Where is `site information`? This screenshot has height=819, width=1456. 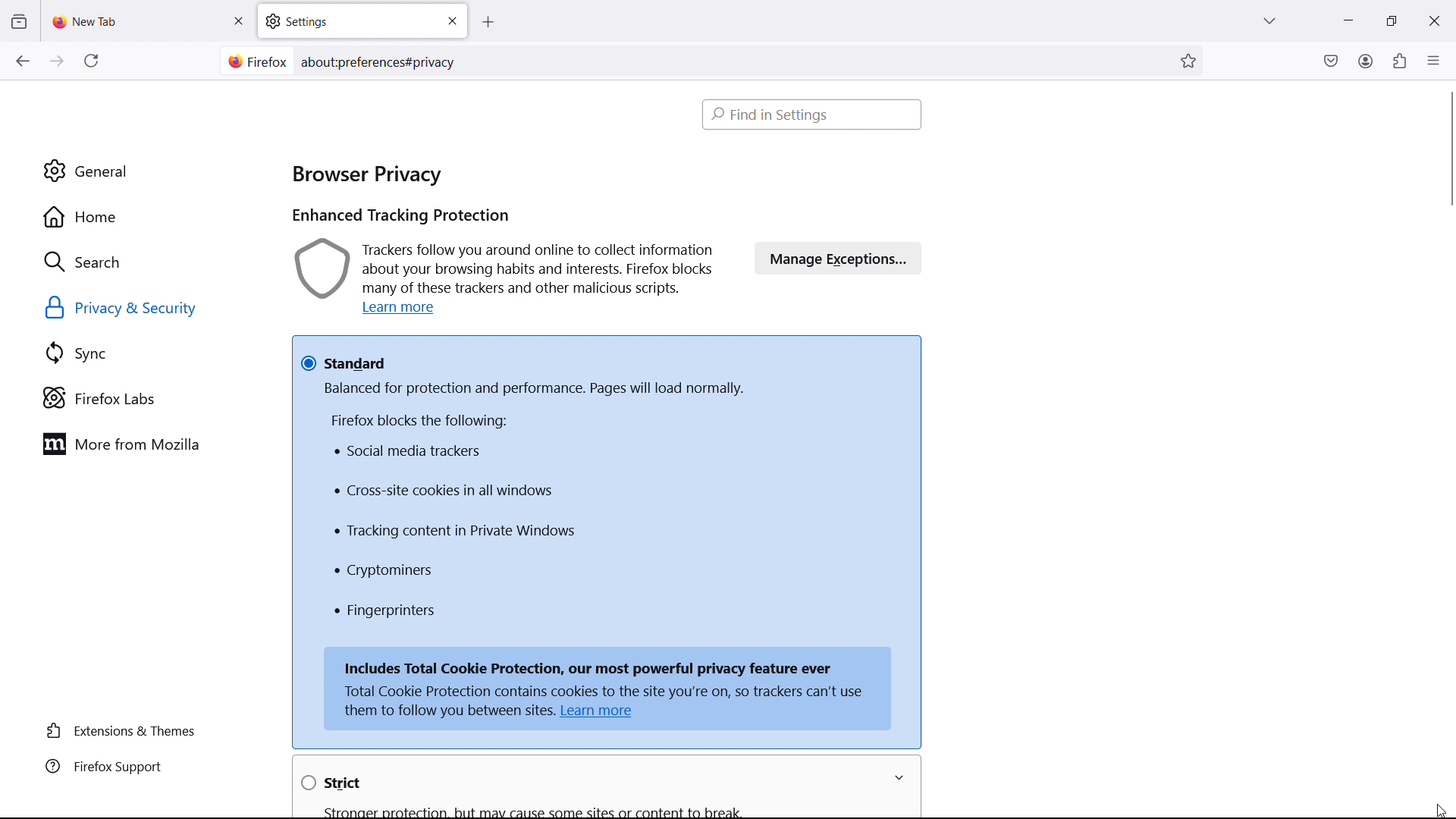
site information is located at coordinates (255, 61).